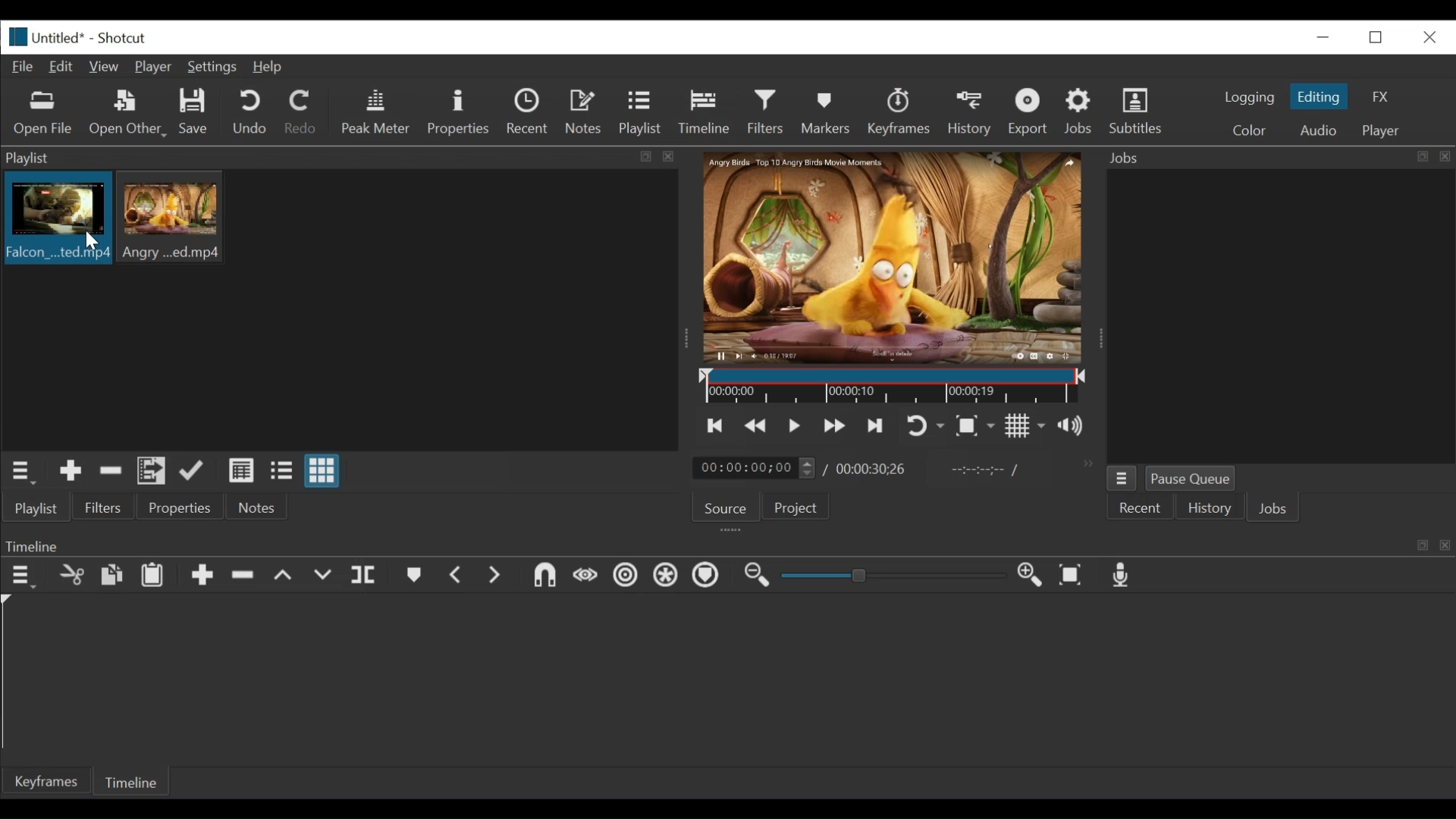  Describe the element at coordinates (1248, 132) in the screenshot. I see `color` at that location.